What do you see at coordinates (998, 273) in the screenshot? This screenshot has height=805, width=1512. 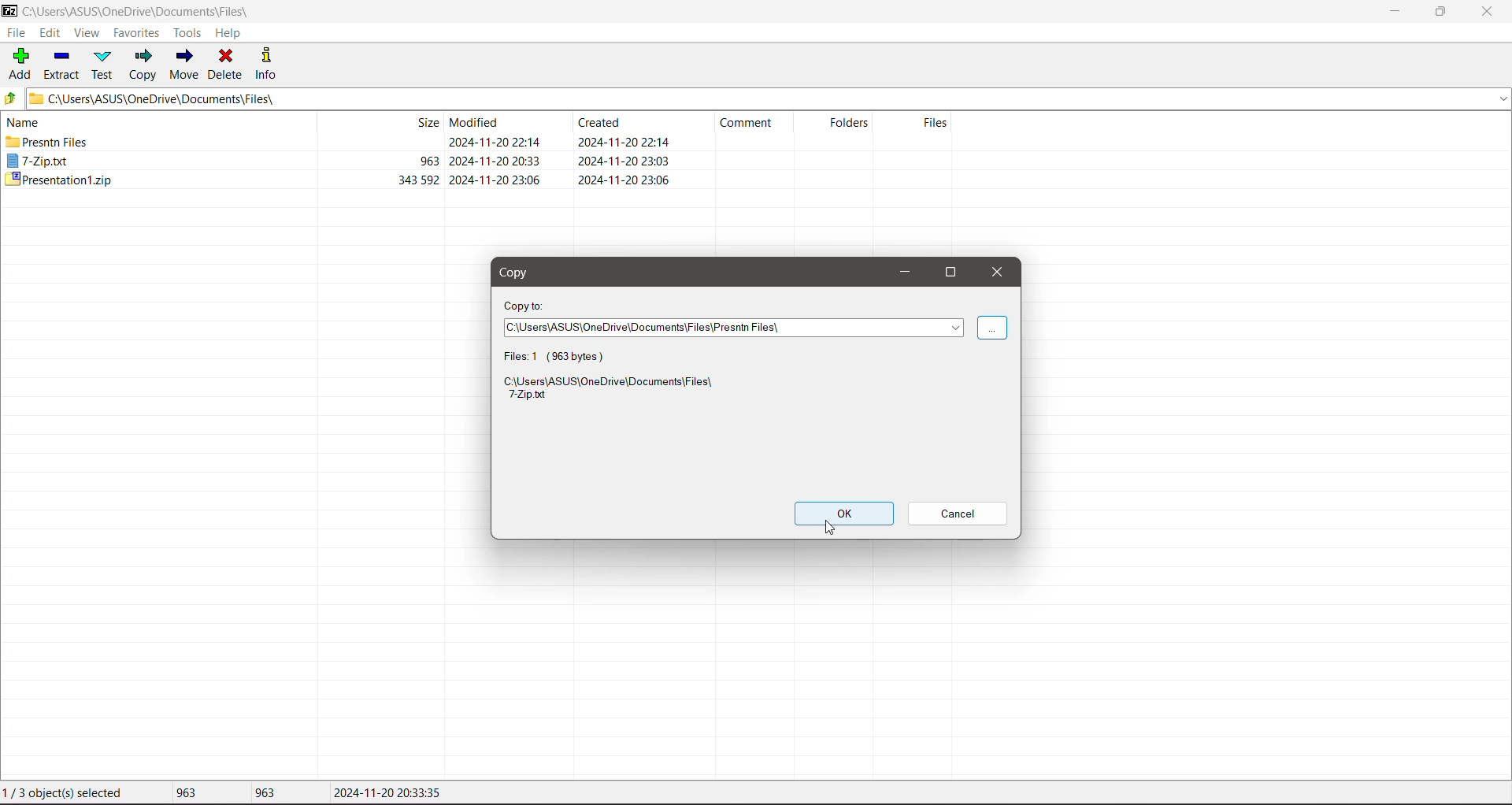 I see `Close` at bounding box center [998, 273].